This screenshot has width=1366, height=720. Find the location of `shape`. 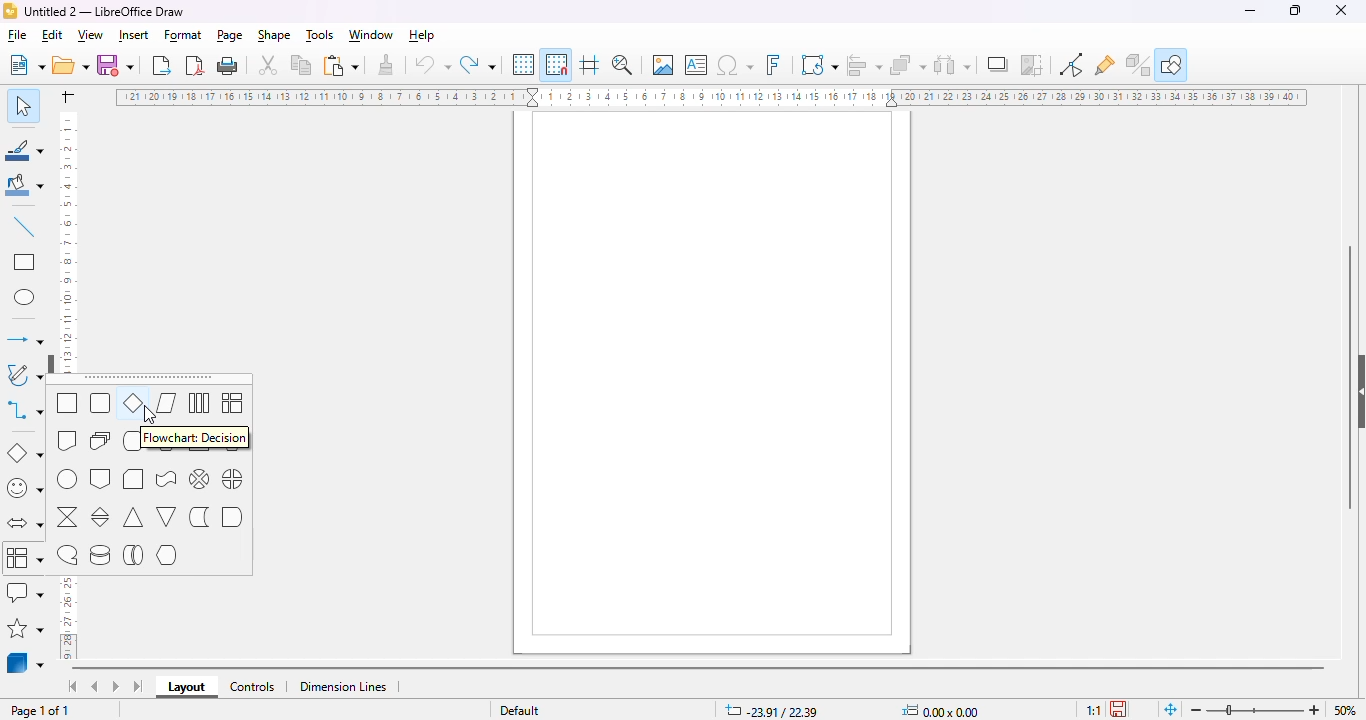

shape is located at coordinates (275, 36).